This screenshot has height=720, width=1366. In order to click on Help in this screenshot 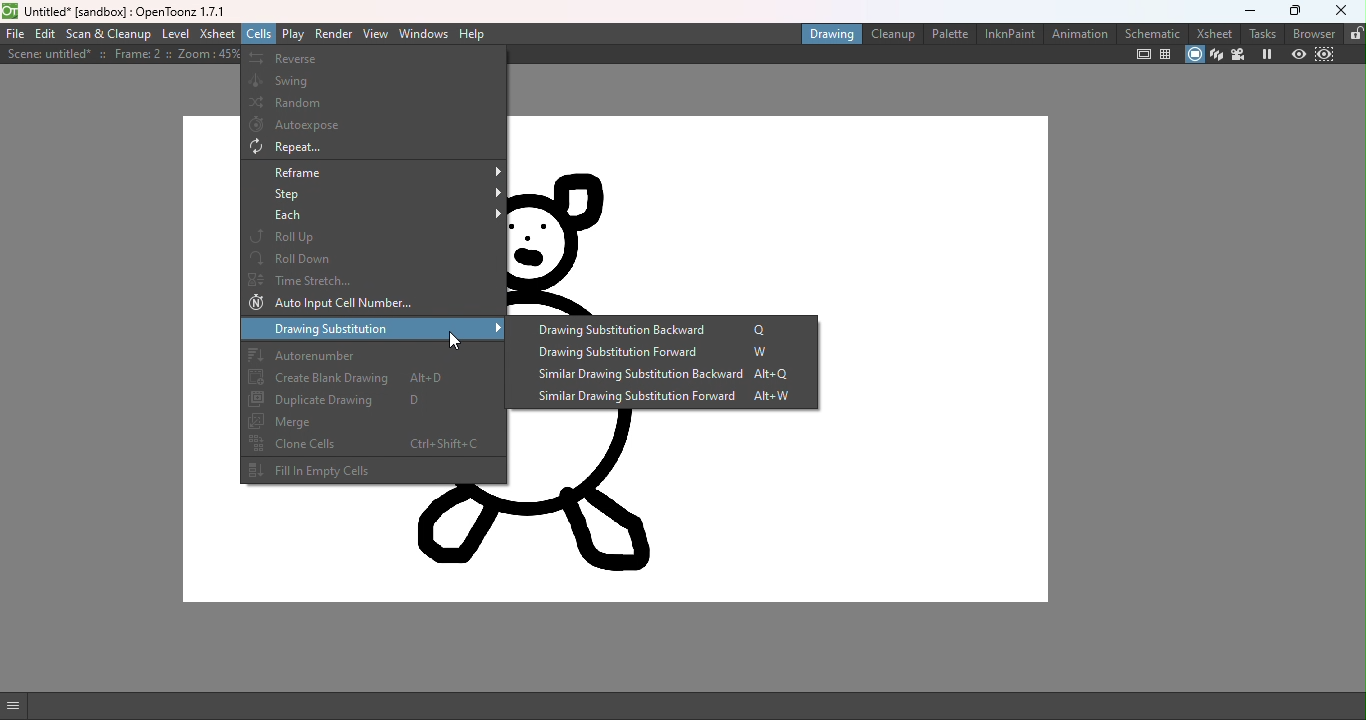, I will do `click(475, 34)`.